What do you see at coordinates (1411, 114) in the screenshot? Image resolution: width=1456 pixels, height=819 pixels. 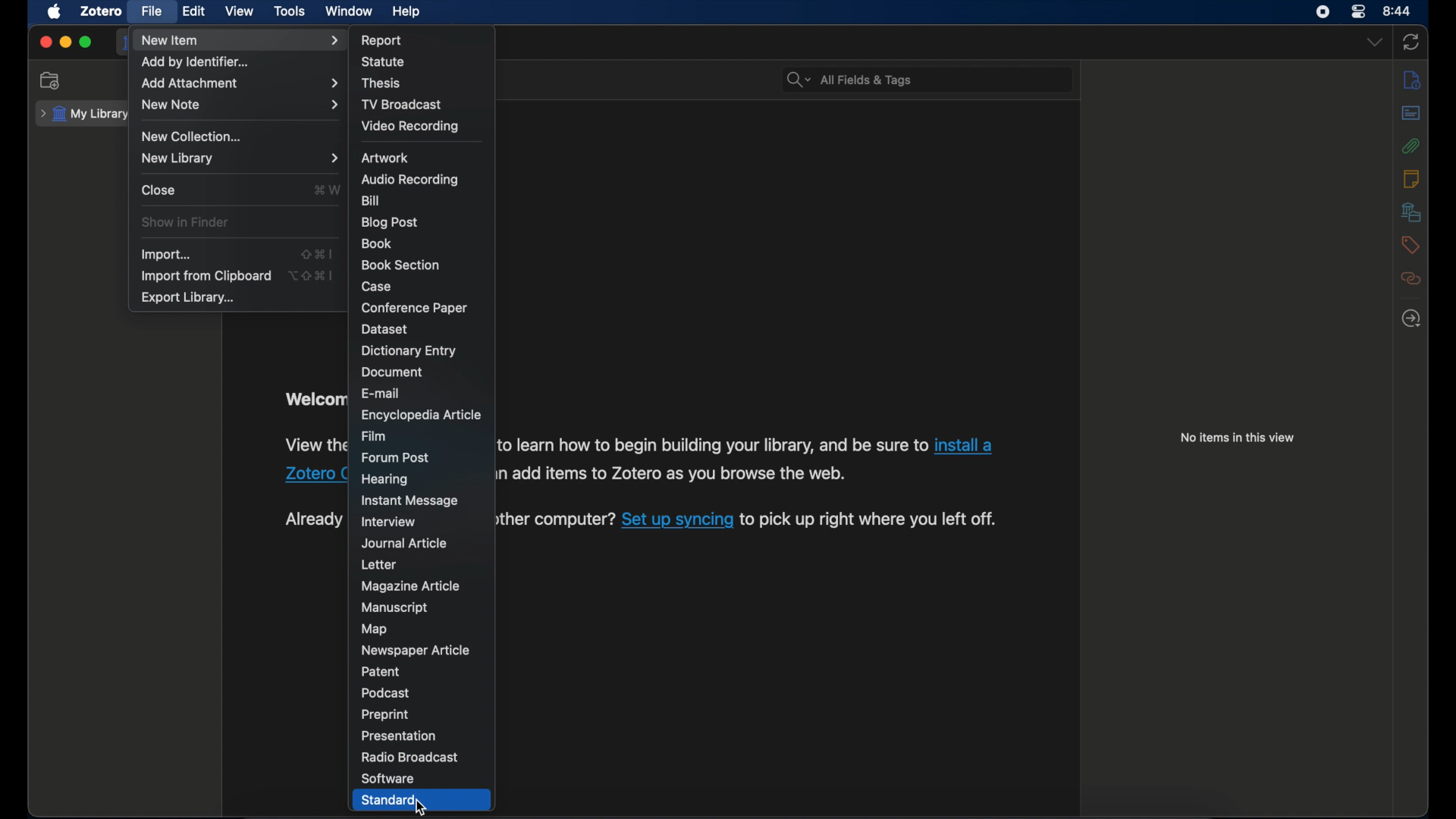 I see `abstract` at bounding box center [1411, 114].